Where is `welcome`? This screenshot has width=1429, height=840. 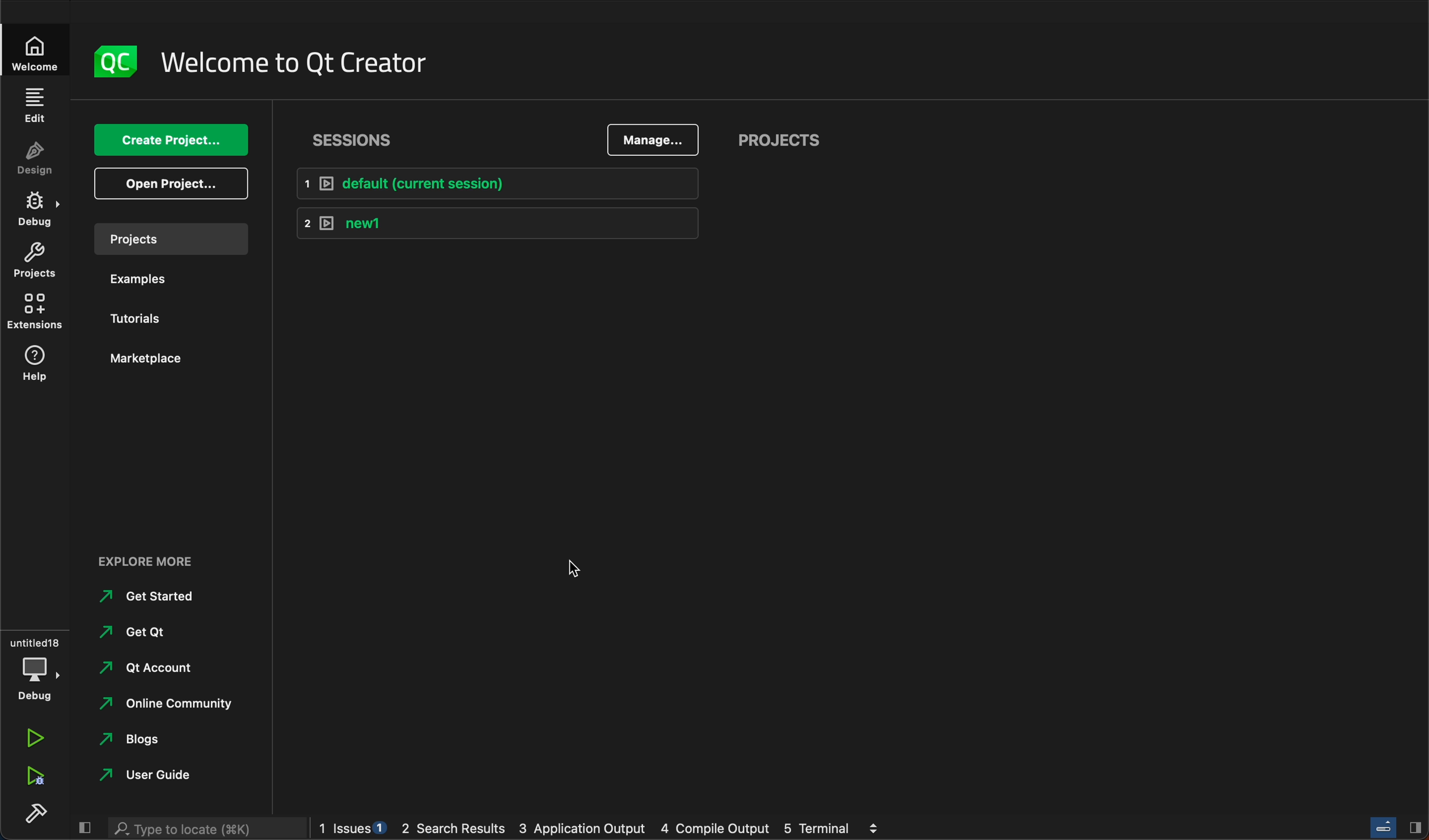
welcome is located at coordinates (36, 53).